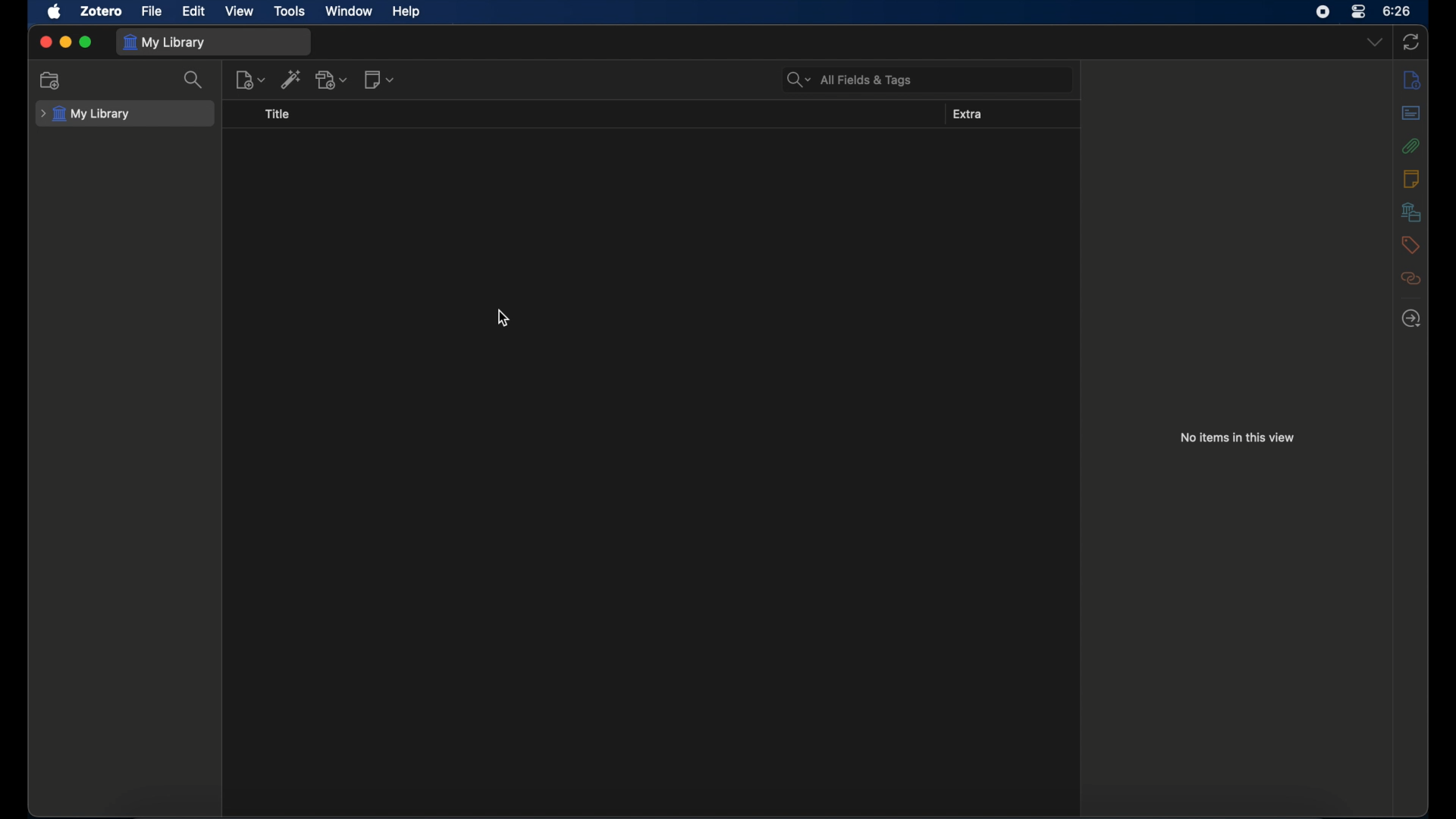  What do you see at coordinates (46, 40) in the screenshot?
I see `close` at bounding box center [46, 40].